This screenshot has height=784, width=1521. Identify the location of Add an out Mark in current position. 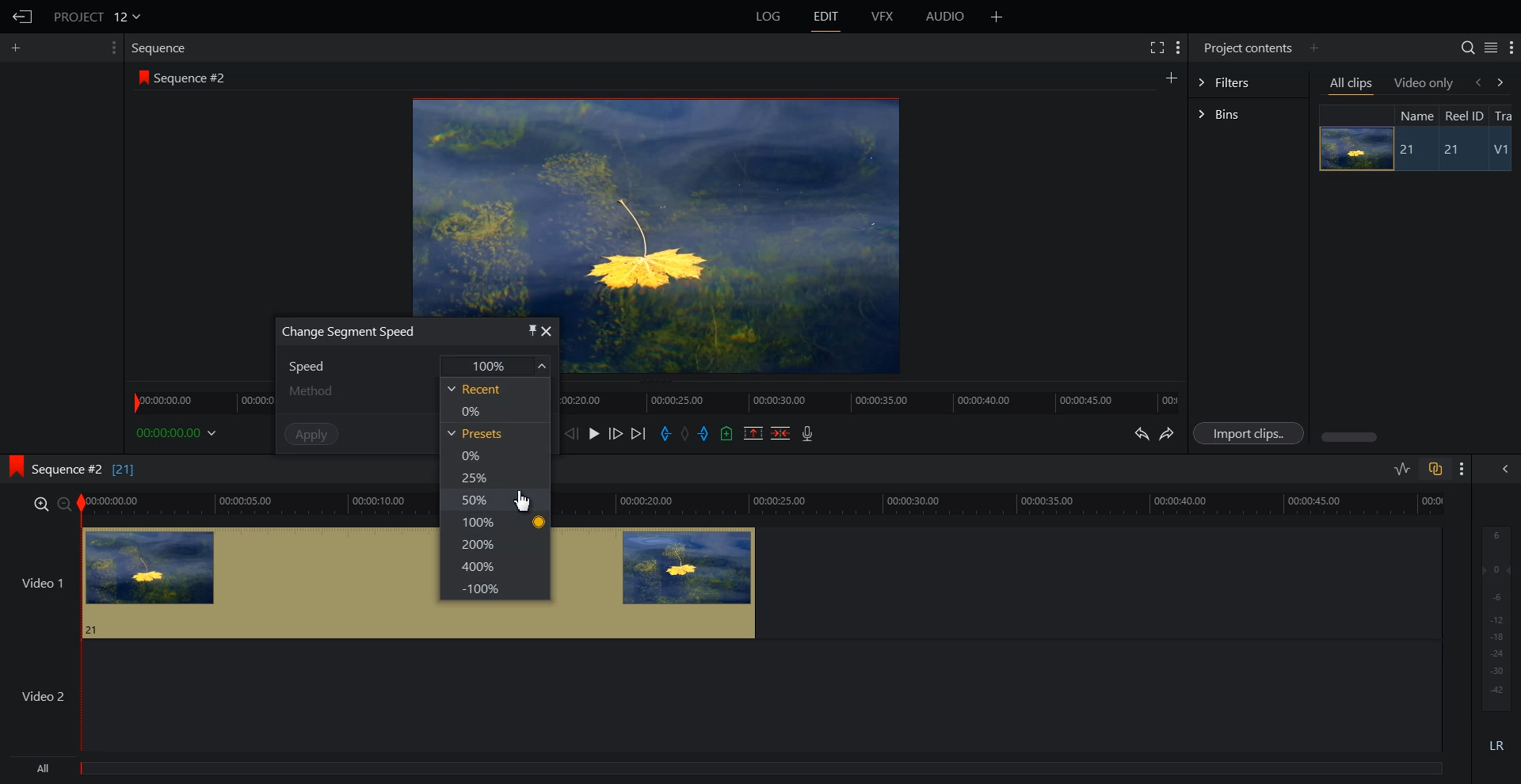
(706, 433).